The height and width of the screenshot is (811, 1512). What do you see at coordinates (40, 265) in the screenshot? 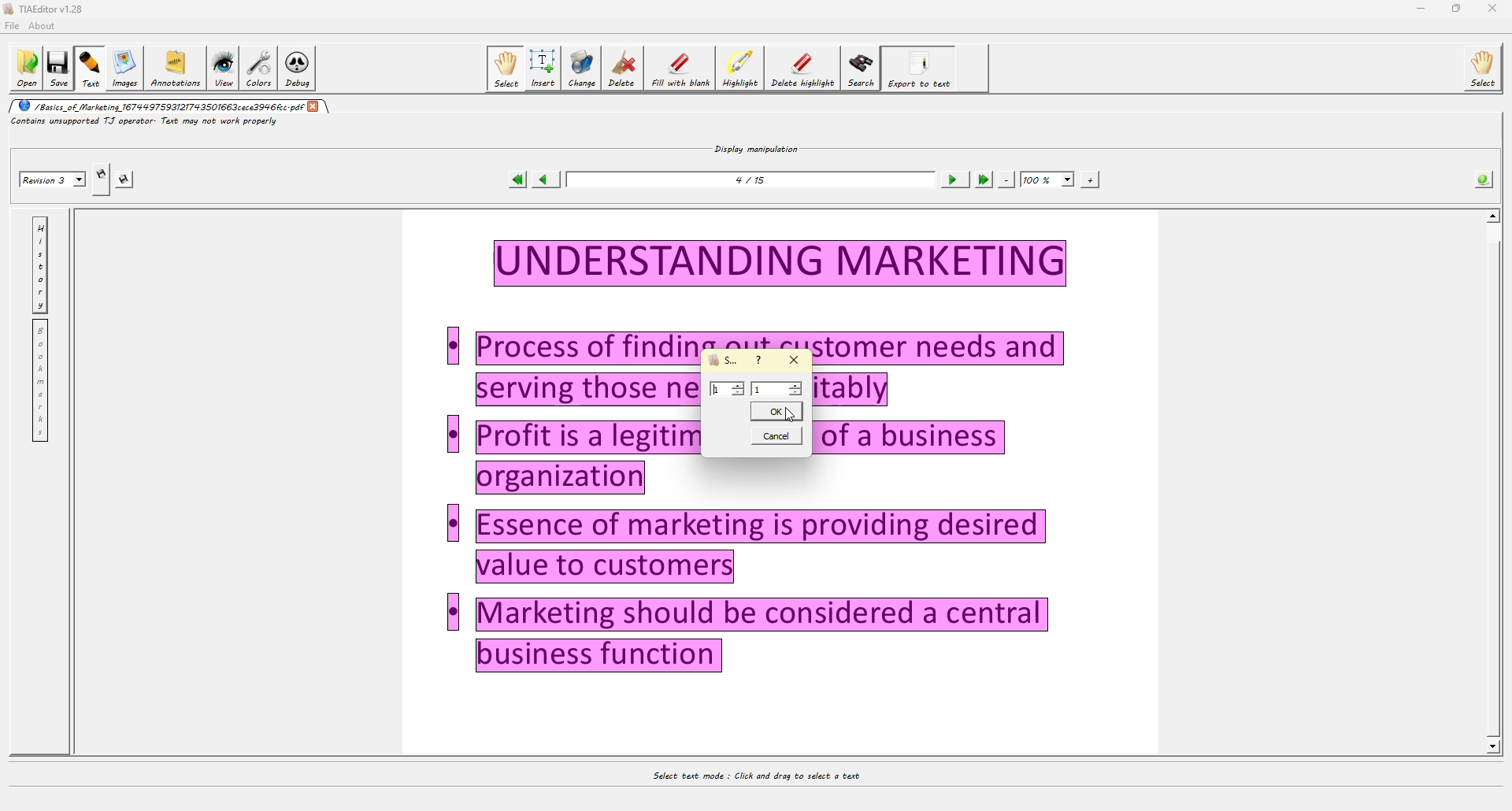
I see `history` at bounding box center [40, 265].